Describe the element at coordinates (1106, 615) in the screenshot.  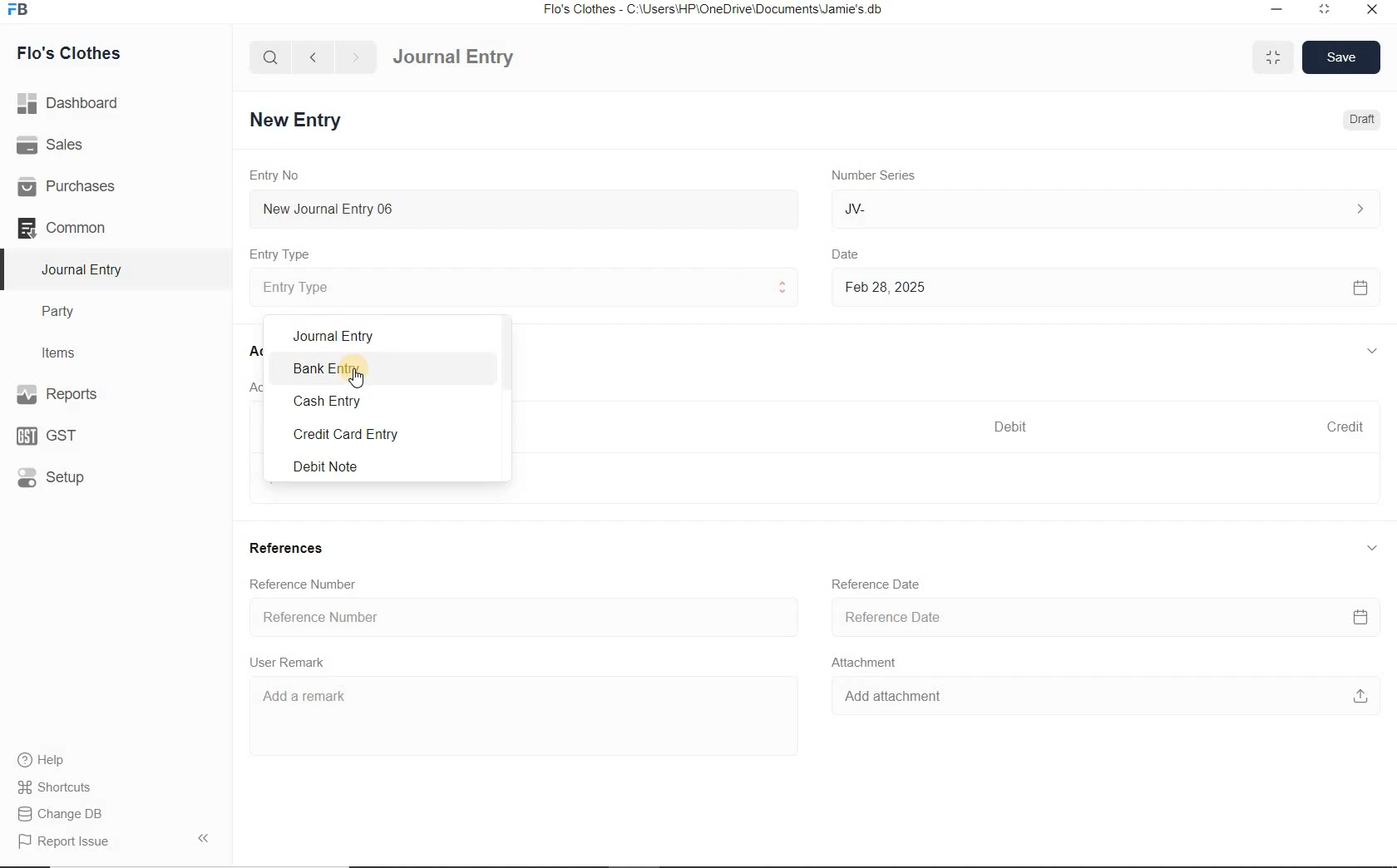
I see `Reference Date` at that location.